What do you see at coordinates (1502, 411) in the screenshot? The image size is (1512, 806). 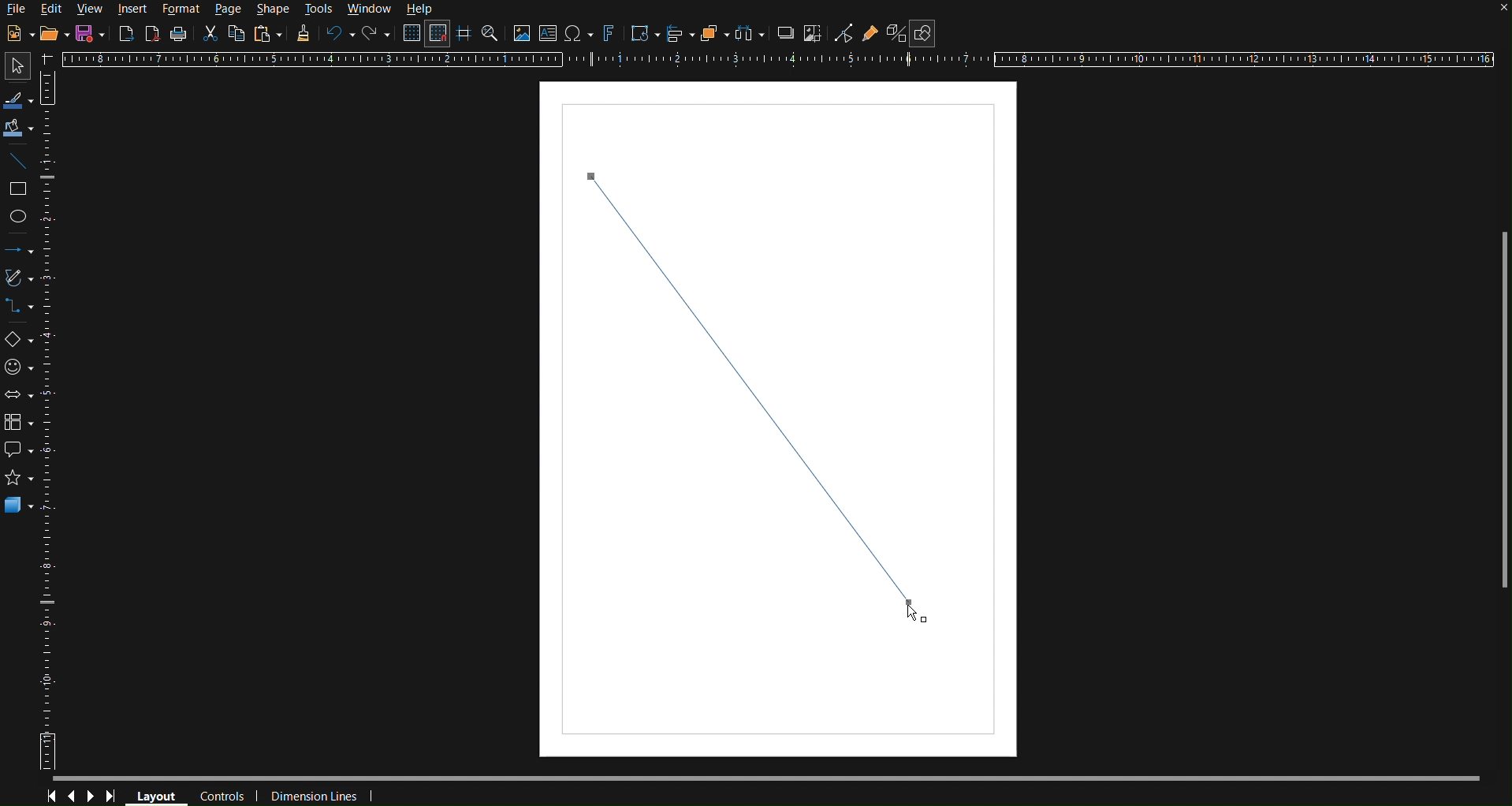 I see `Scrollbar` at bounding box center [1502, 411].